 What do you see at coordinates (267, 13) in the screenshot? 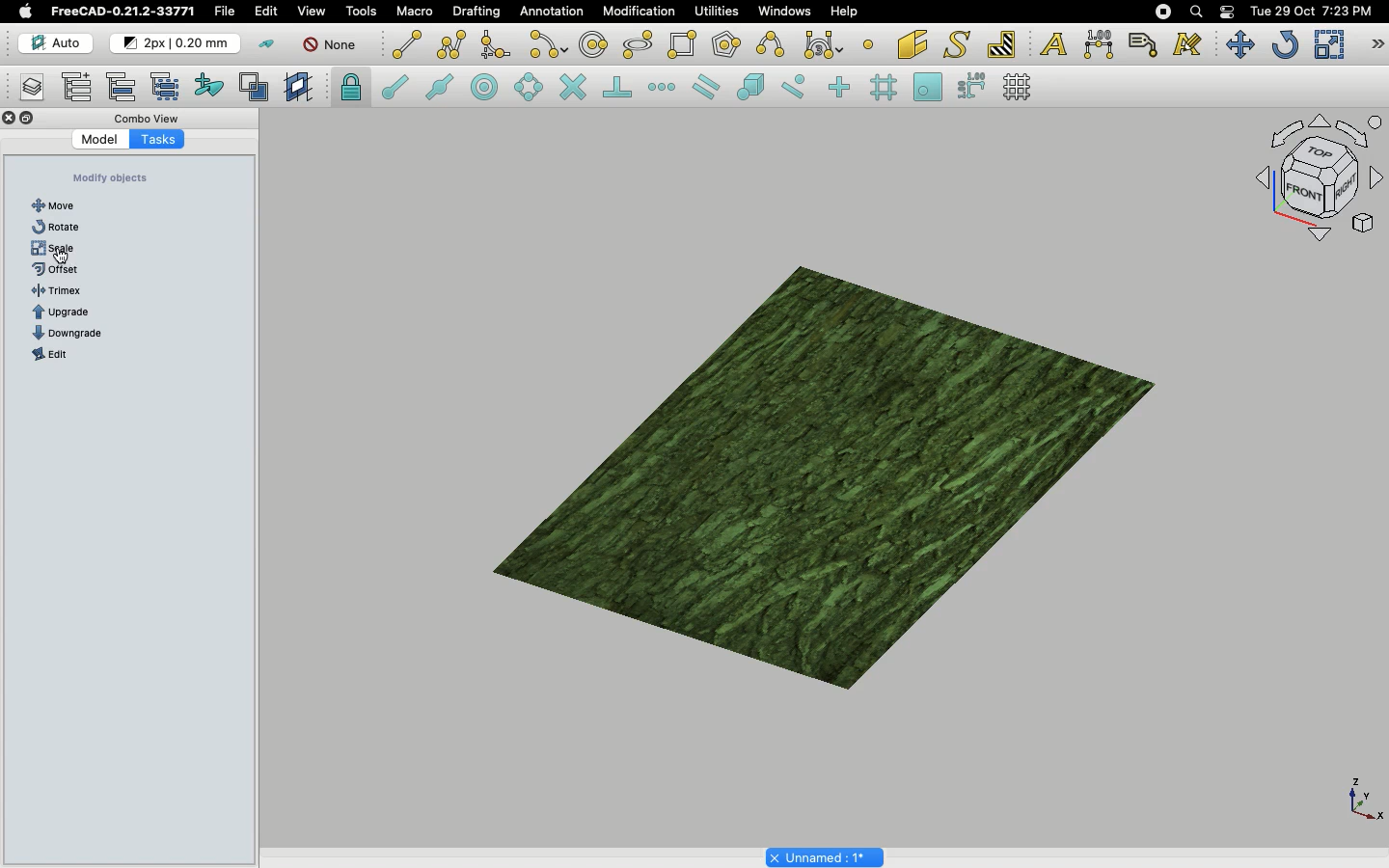
I see `Edit` at bounding box center [267, 13].